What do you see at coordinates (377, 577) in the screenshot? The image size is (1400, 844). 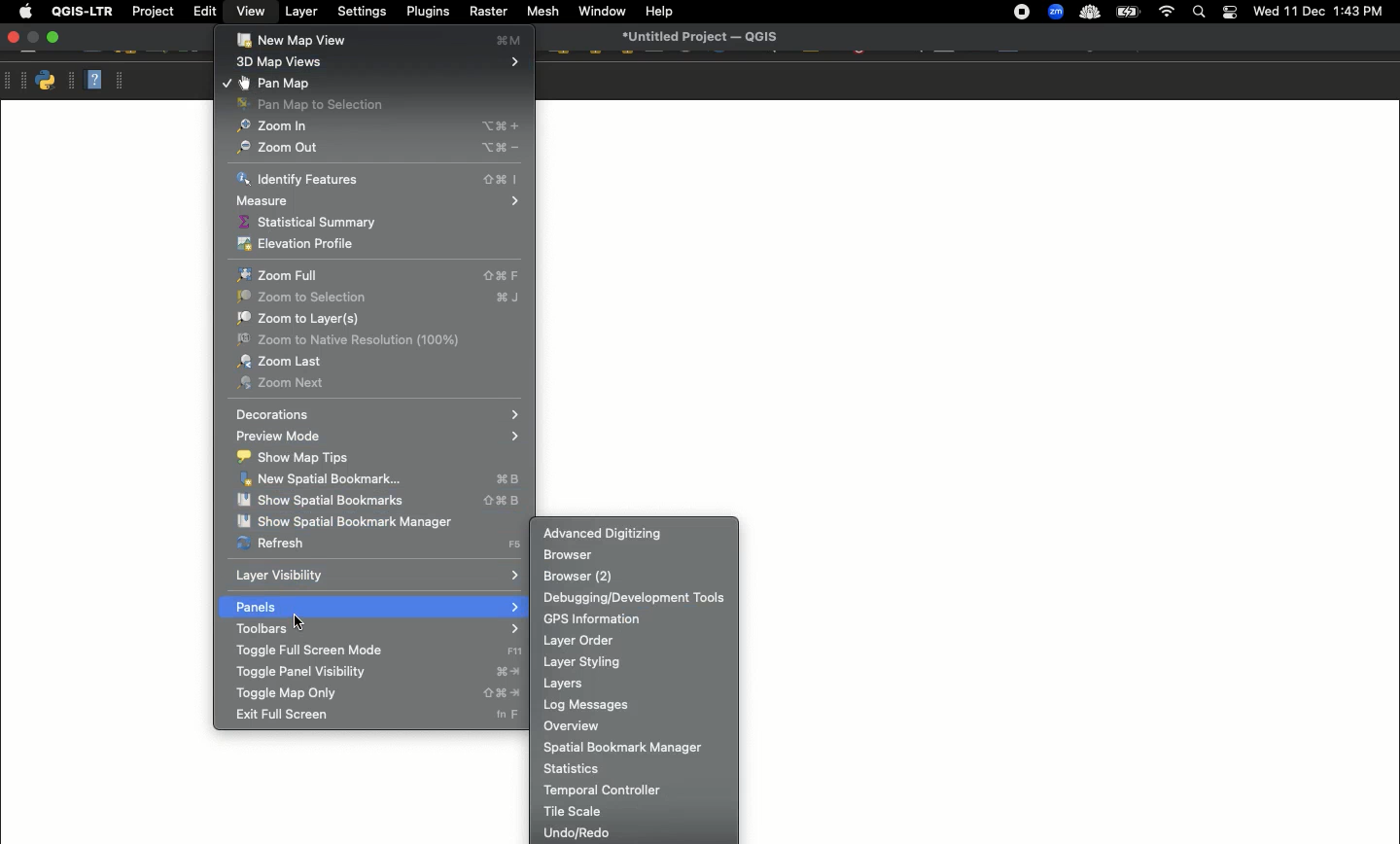 I see `Layer visibility` at bounding box center [377, 577].